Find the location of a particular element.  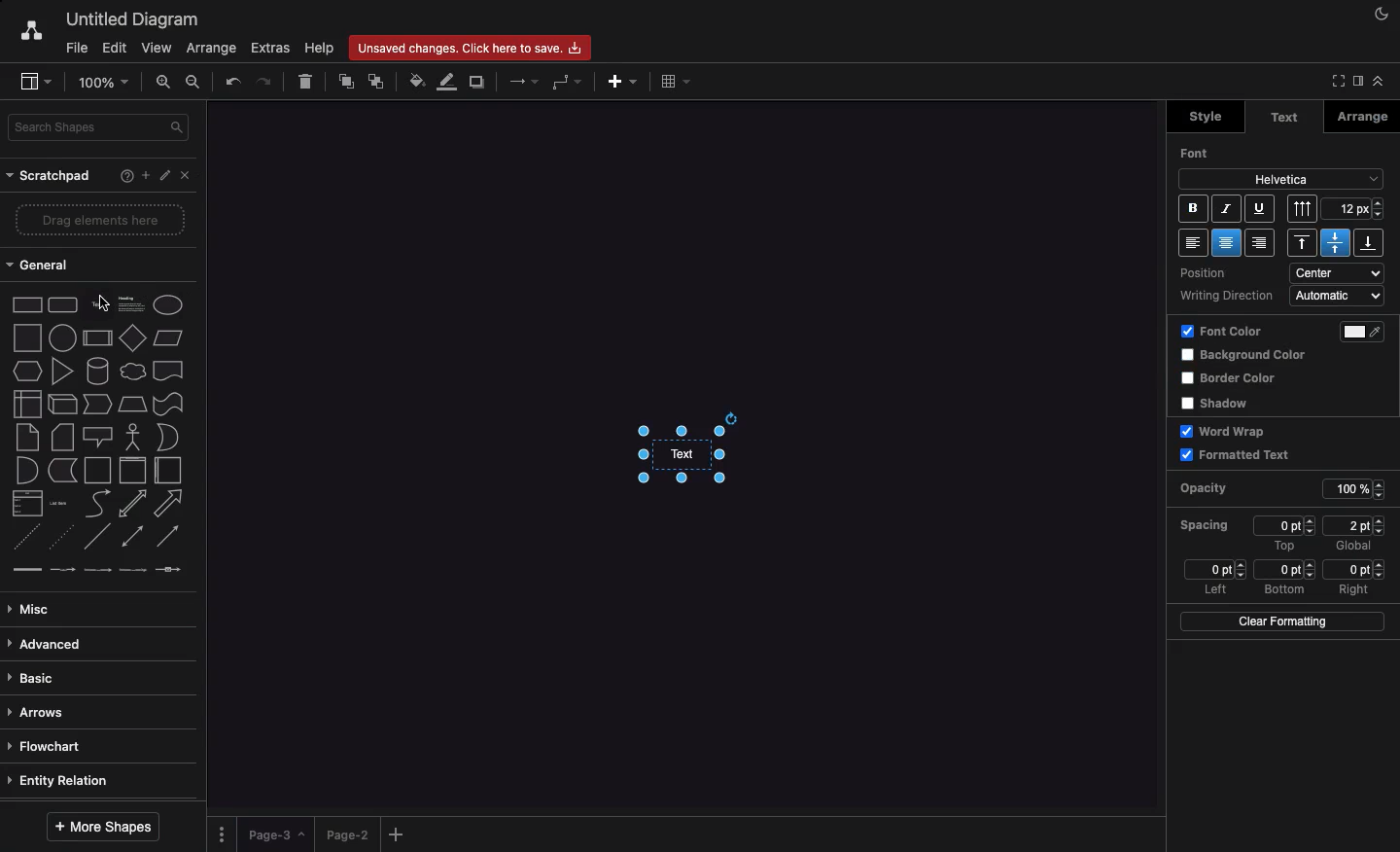

vertical container is located at coordinates (132, 471).